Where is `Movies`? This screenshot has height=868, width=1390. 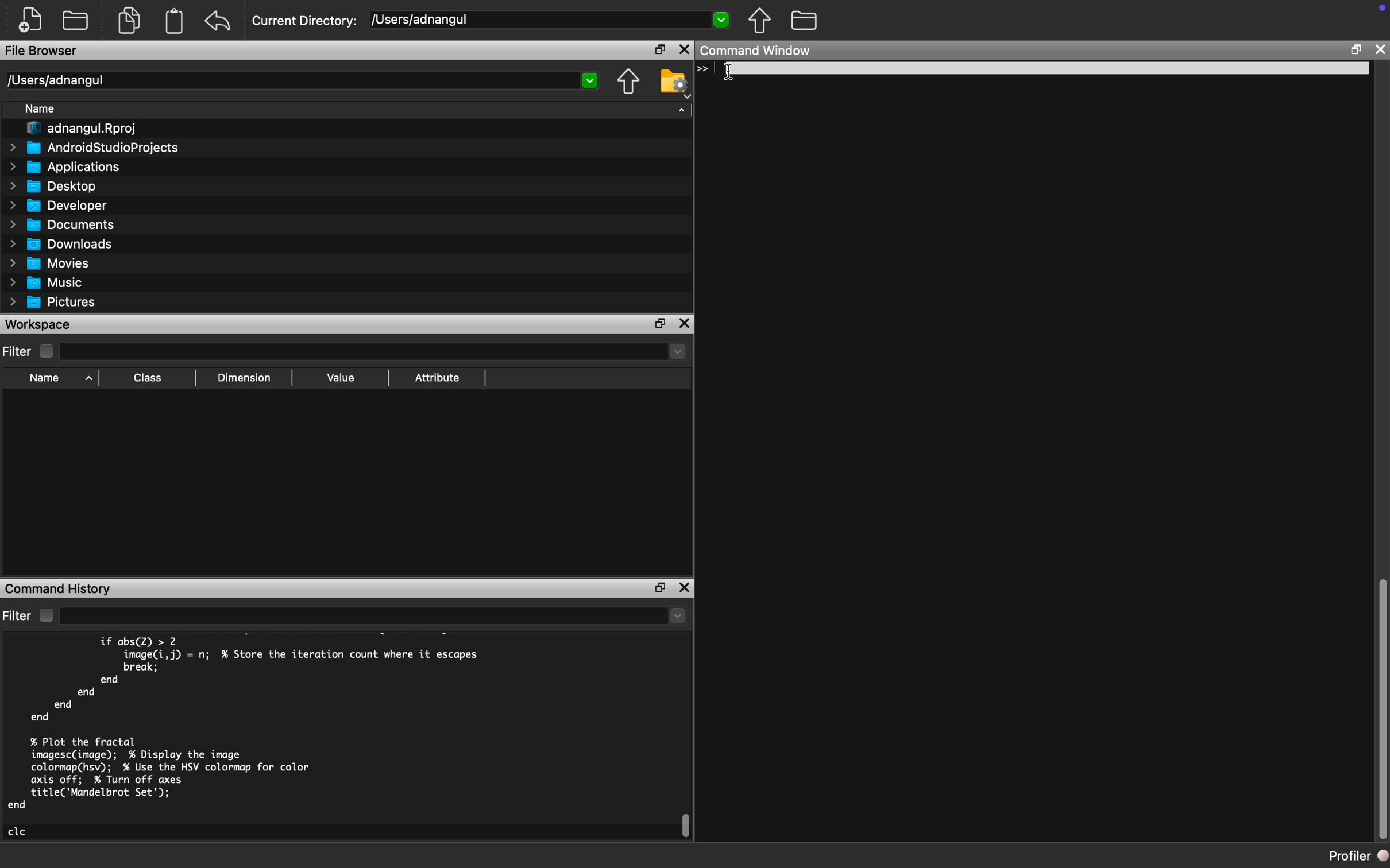 Movies is located at coordinates (48, 263).